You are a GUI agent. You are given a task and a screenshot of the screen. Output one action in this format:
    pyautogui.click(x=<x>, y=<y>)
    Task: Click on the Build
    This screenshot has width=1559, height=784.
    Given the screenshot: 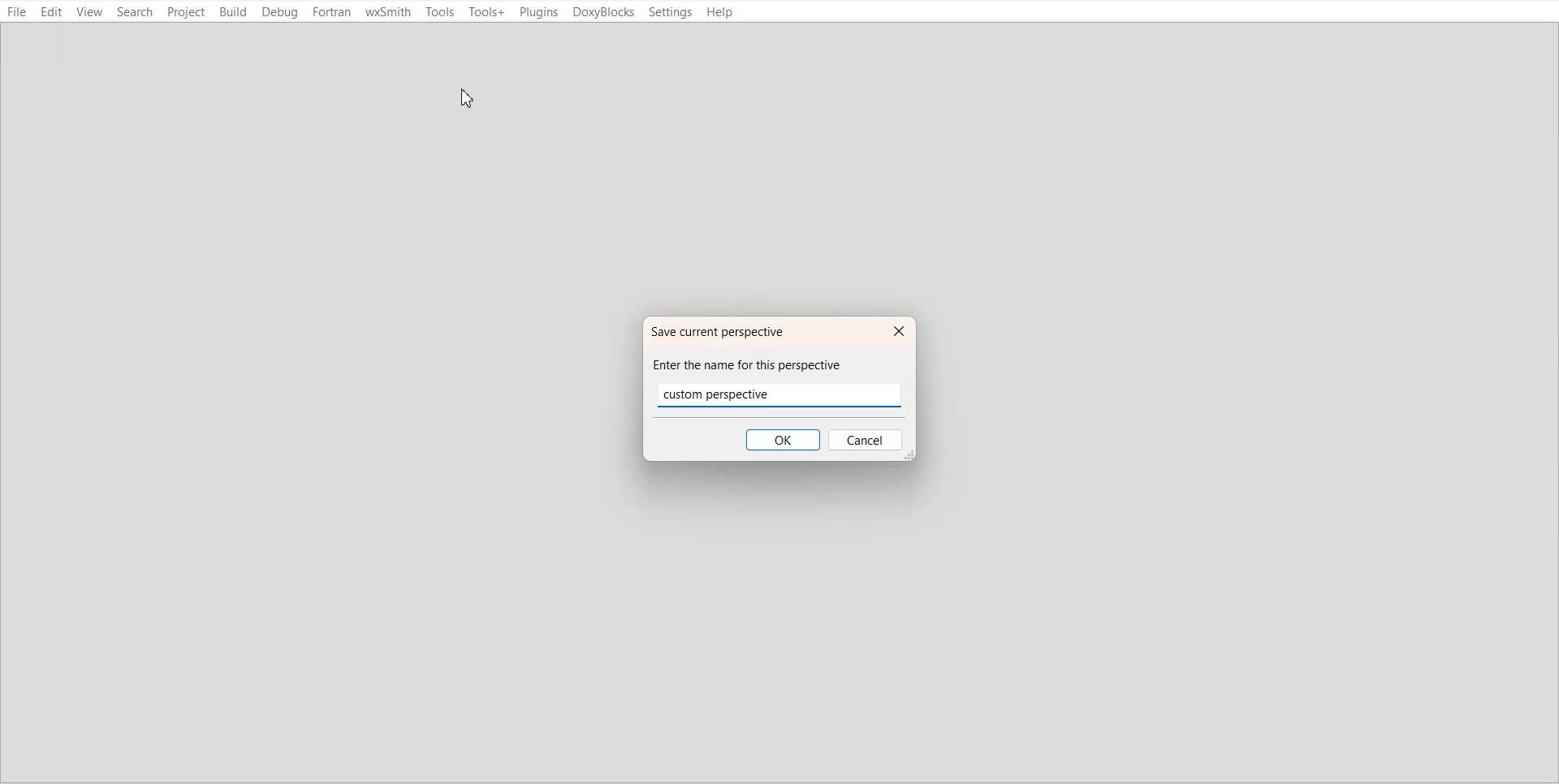 What is the action you would take?
    pyautogui.click(x=234, y=12)
    